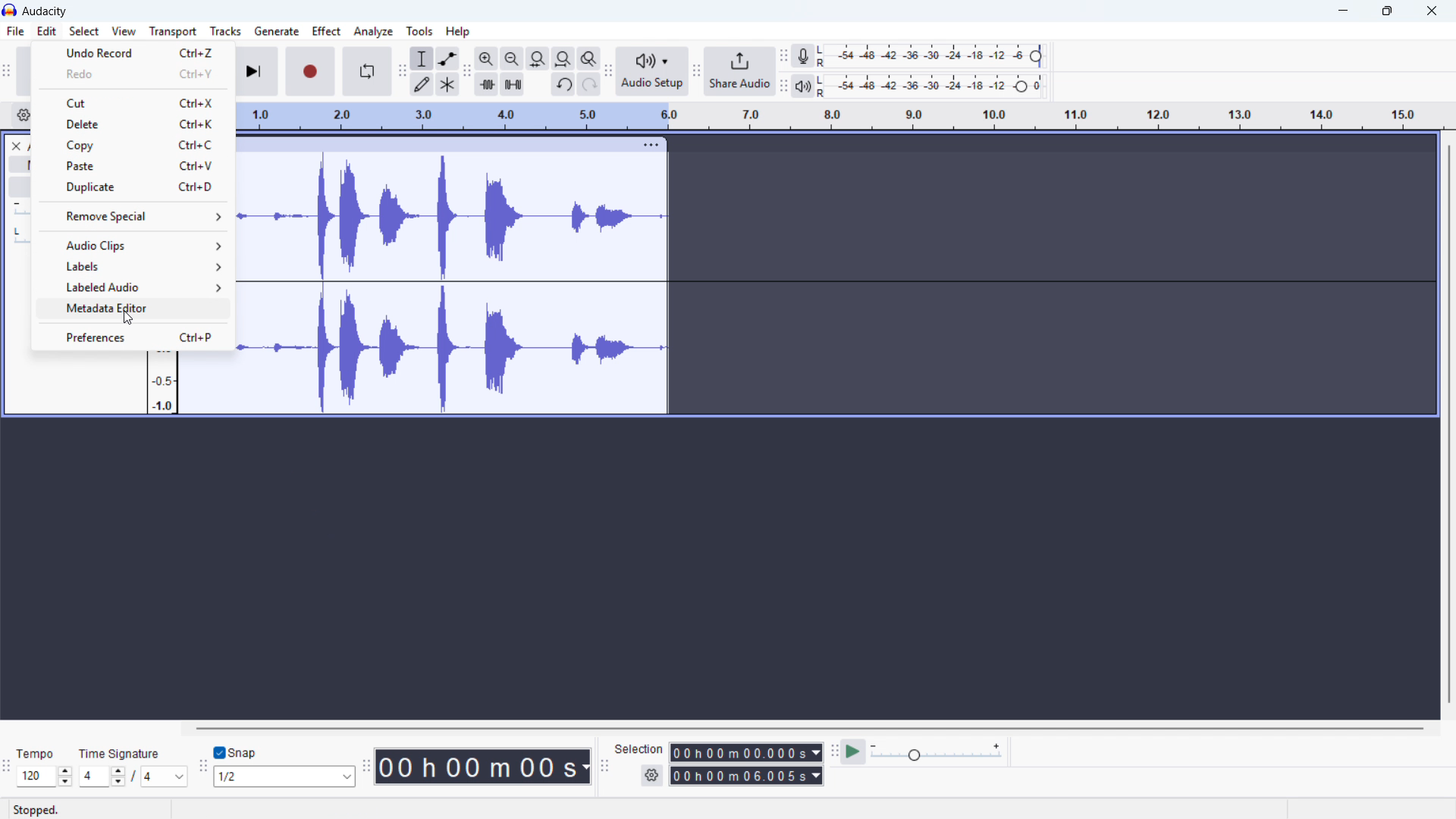 Image resolution: width=1456 pixels, height=819 pixels. I want to click on delete, so click(132, 124).